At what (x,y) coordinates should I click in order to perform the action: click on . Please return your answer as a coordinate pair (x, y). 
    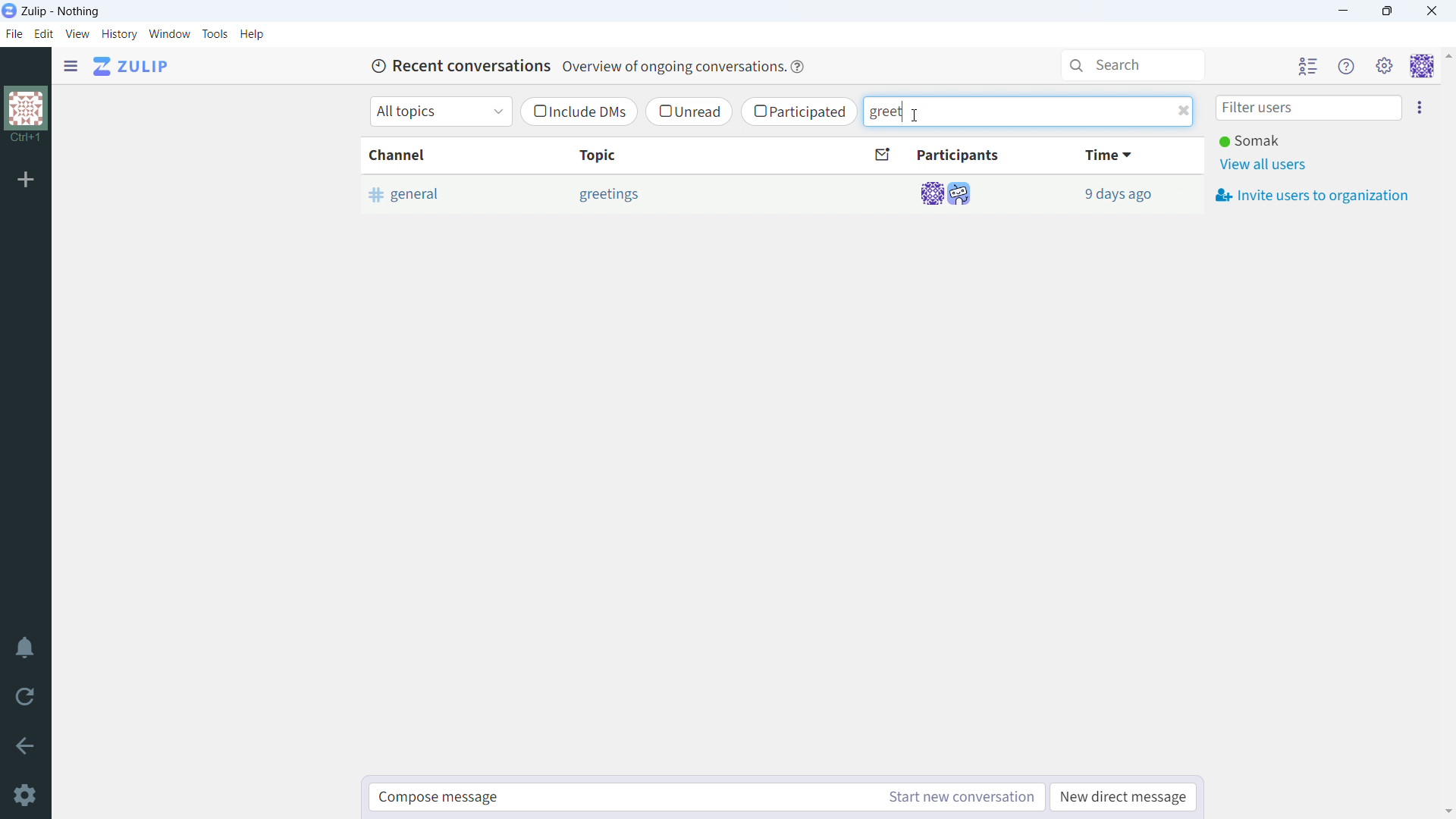
    Looking at the image, I should click on (693, 193).